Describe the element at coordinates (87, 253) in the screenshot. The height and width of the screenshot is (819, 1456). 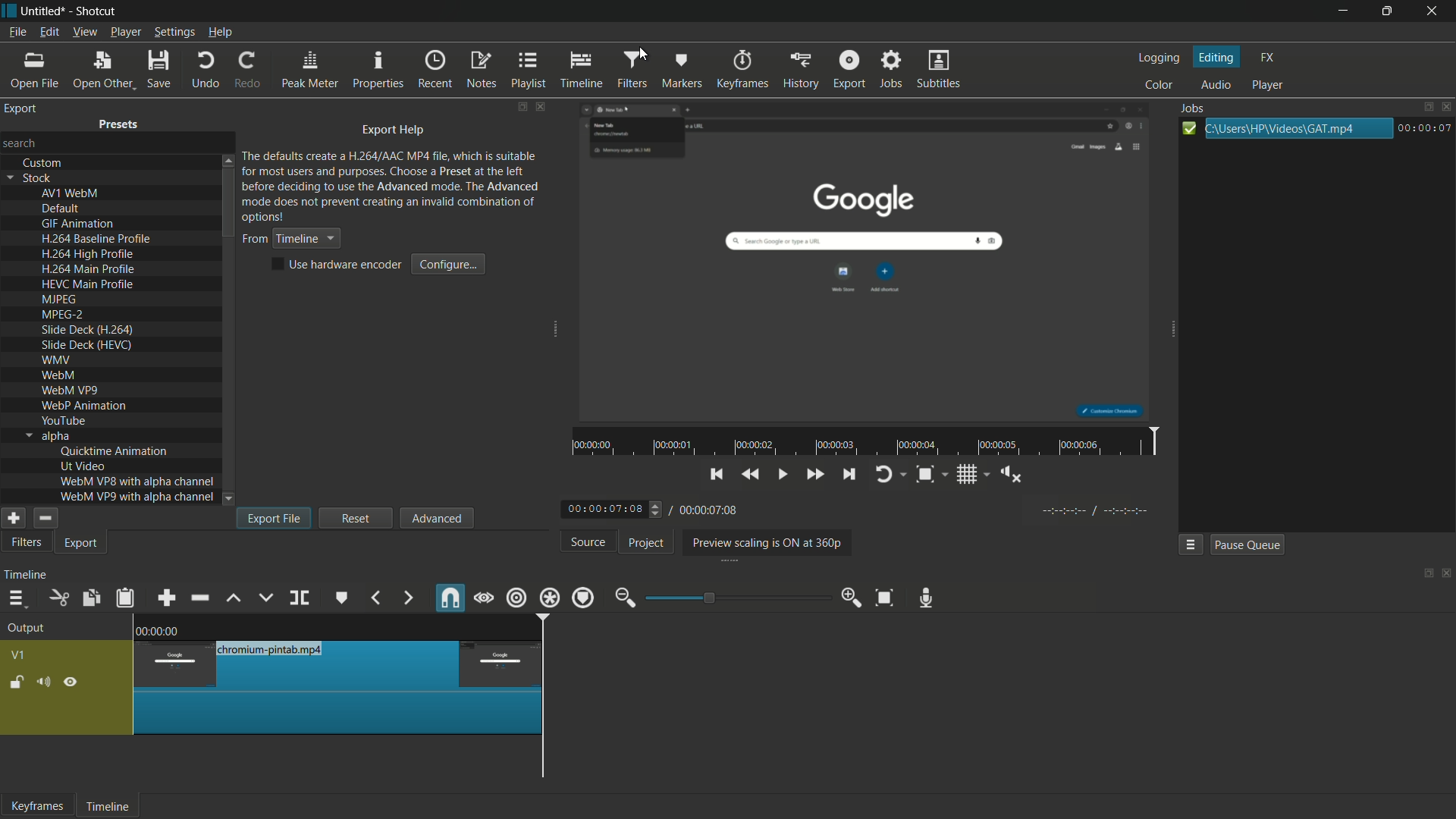
I see `H.264 High Profile` at that location.